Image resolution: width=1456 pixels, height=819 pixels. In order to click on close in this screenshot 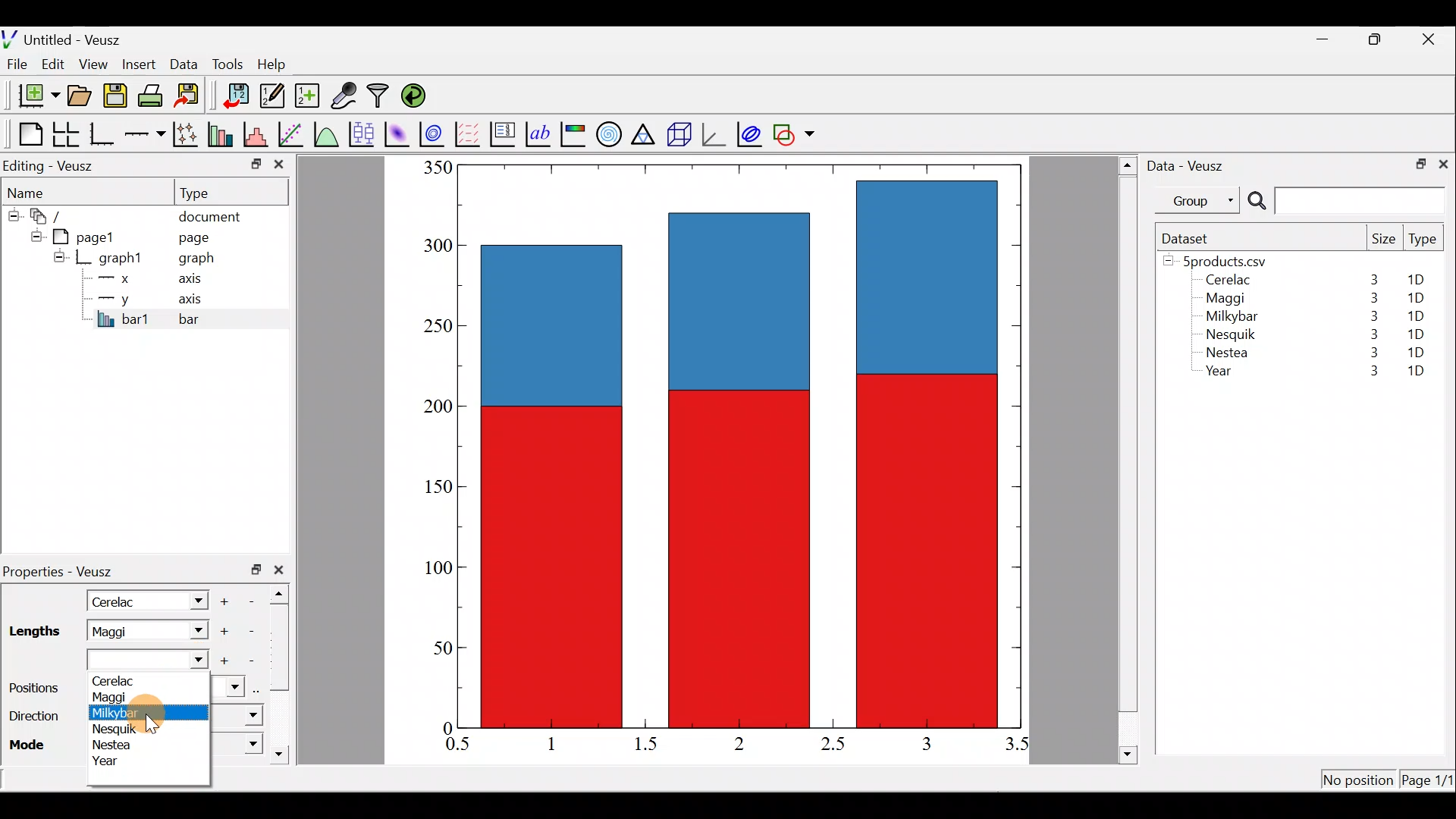, I will do `click(1430, 39)`.